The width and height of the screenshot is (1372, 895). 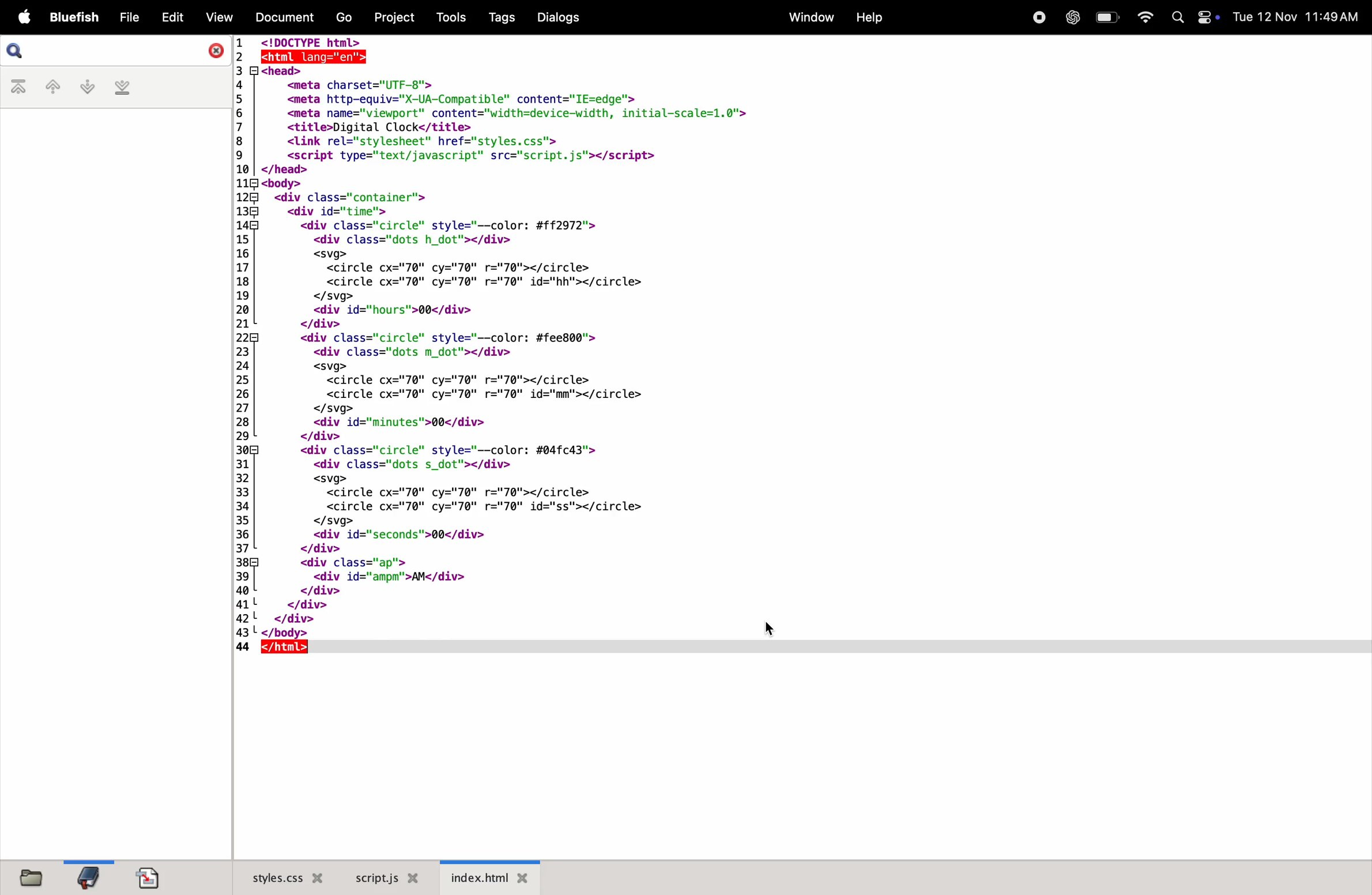 I want to click on date and time, so click(x=1298, y=19).